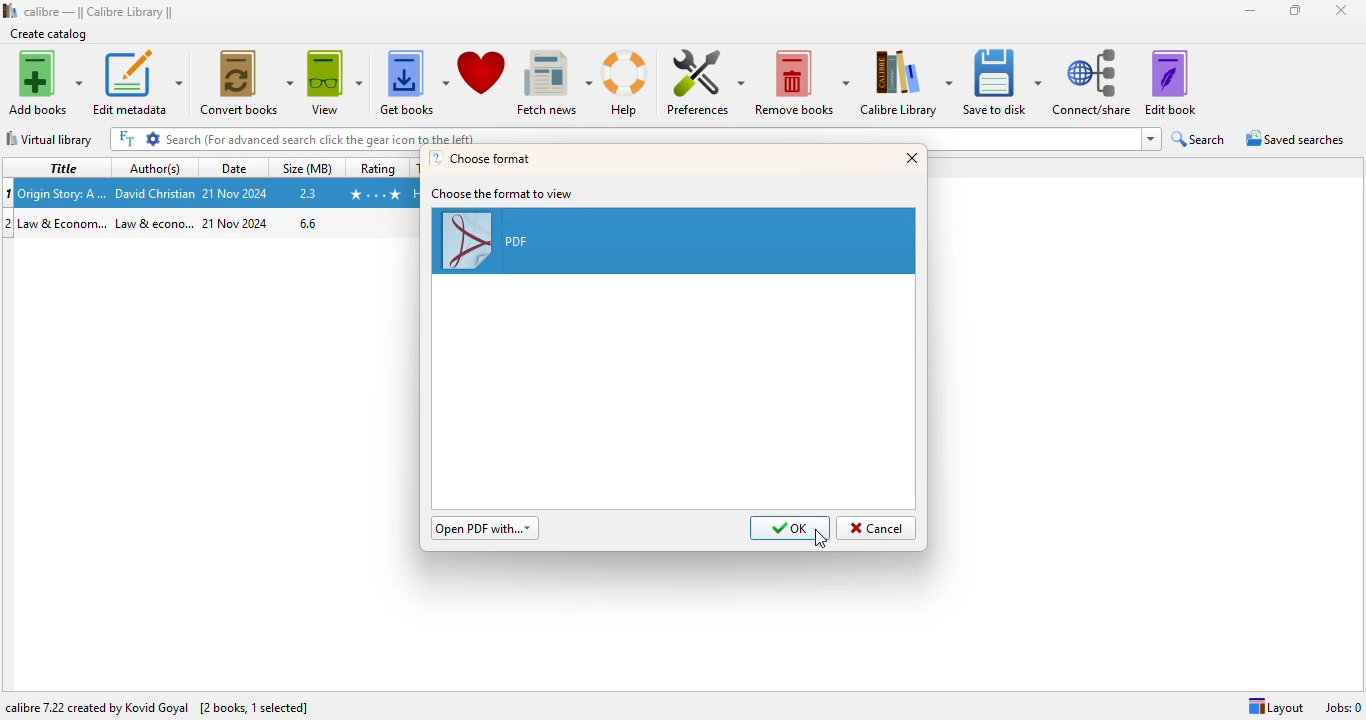  Describe the element at coordinates (236, 168) in the screenshot. I see `date` at that location.